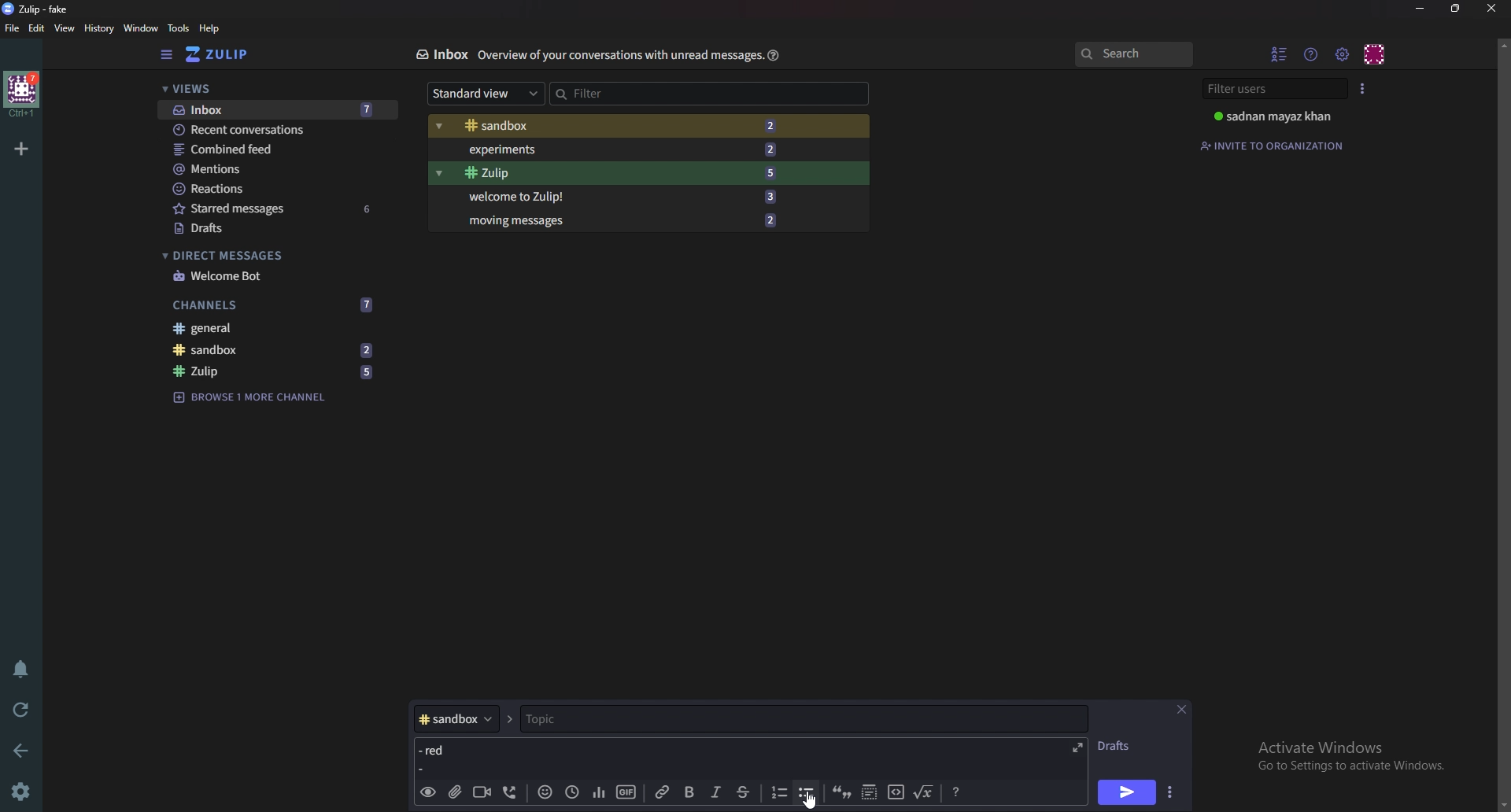 The width and height of the screenshot is (1511, 812). Describe the element at coordinates (250, 396) in the screenshot. I see `Browse channel` at that location.